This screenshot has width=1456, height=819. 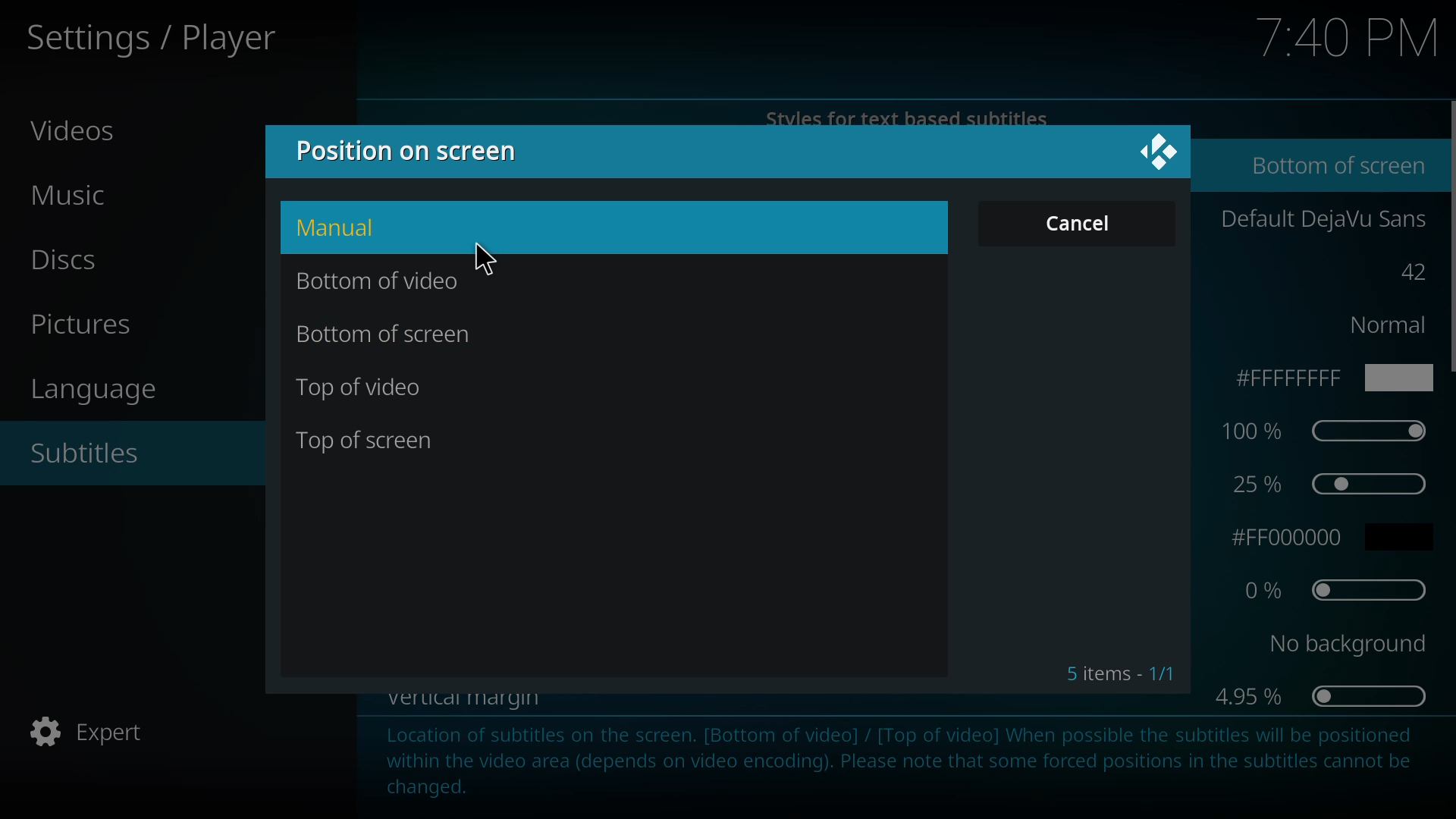 I want to click on ffff, so click(x=1324, y=378).